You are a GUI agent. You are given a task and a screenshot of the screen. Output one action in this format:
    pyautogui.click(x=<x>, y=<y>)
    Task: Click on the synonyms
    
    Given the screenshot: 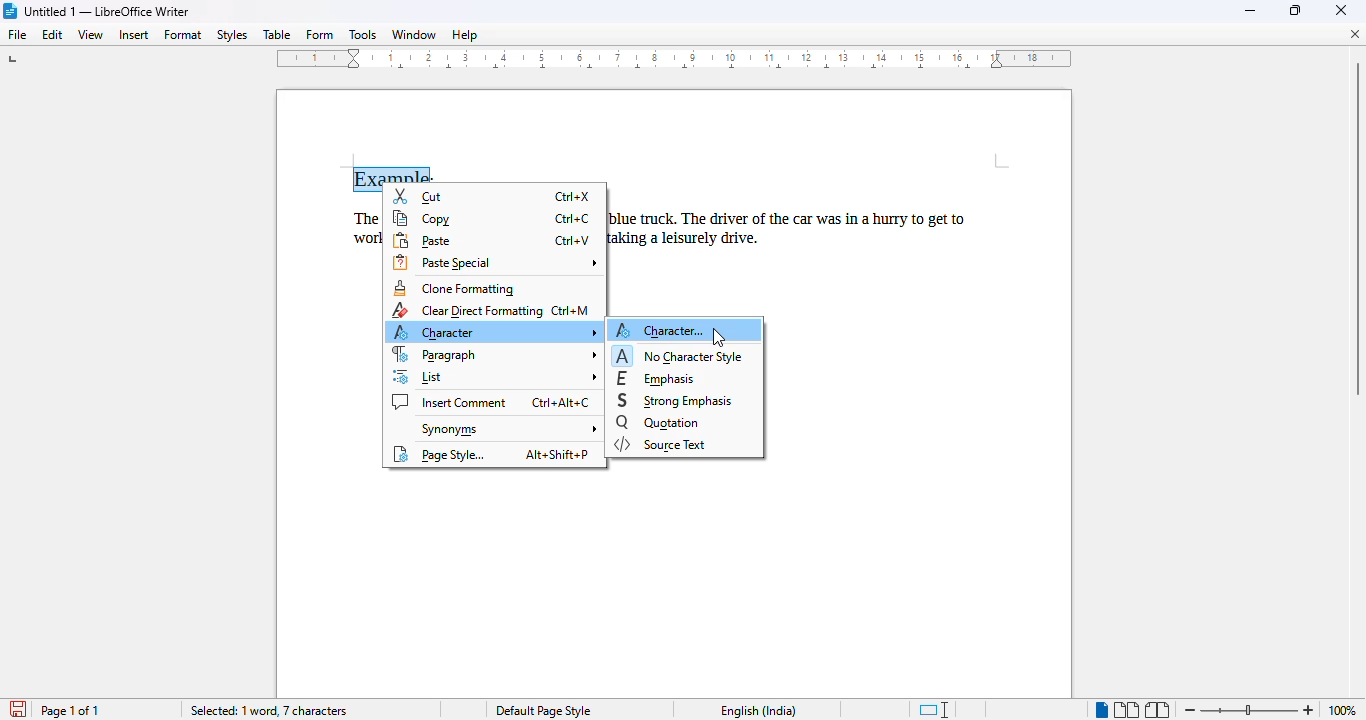 What is the action you would take?
    pyautogui.click(x=506, y=429)
    